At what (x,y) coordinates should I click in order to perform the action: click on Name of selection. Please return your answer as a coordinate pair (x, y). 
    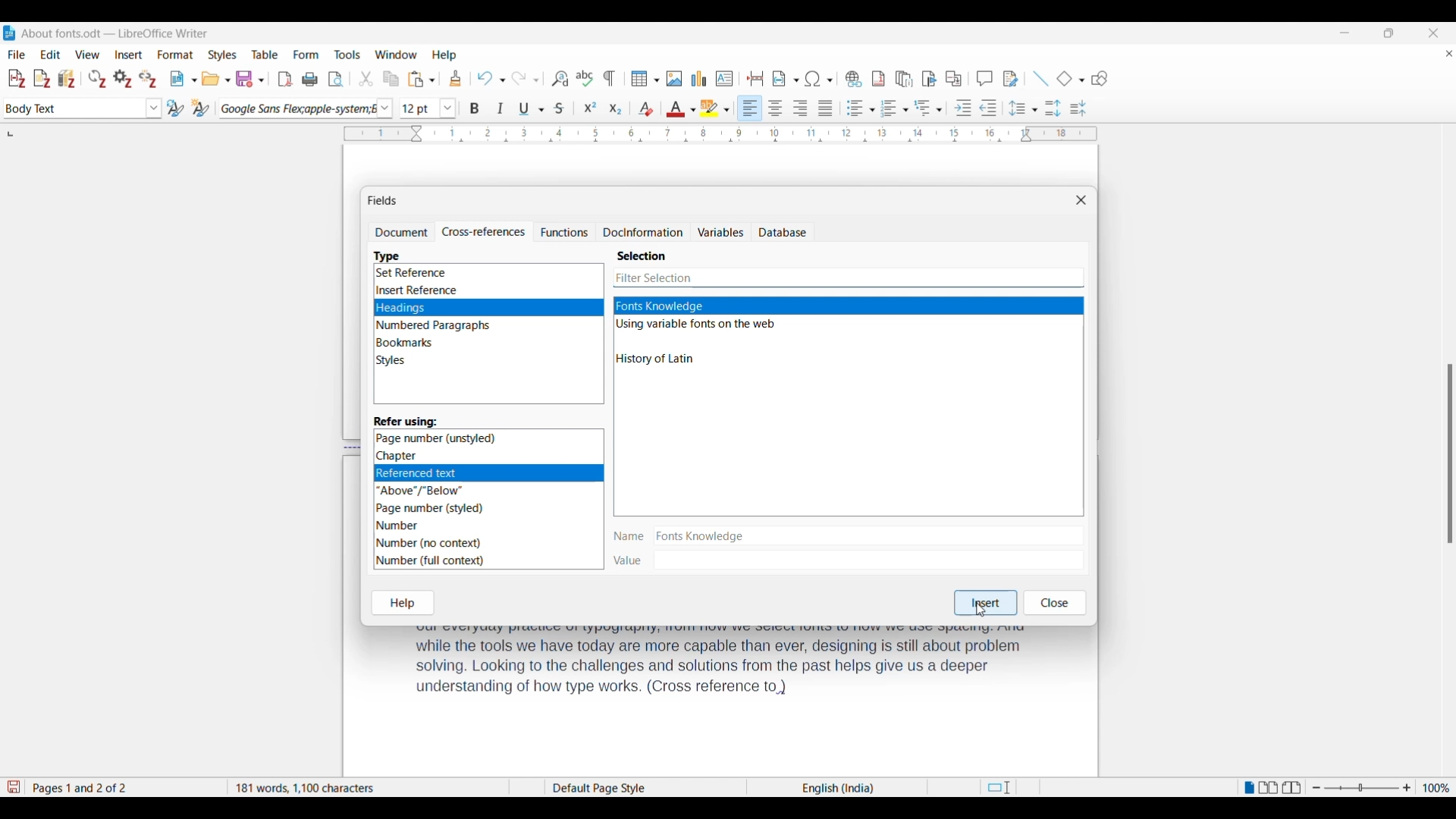
    Looking at the image, I should click on (864, 536).